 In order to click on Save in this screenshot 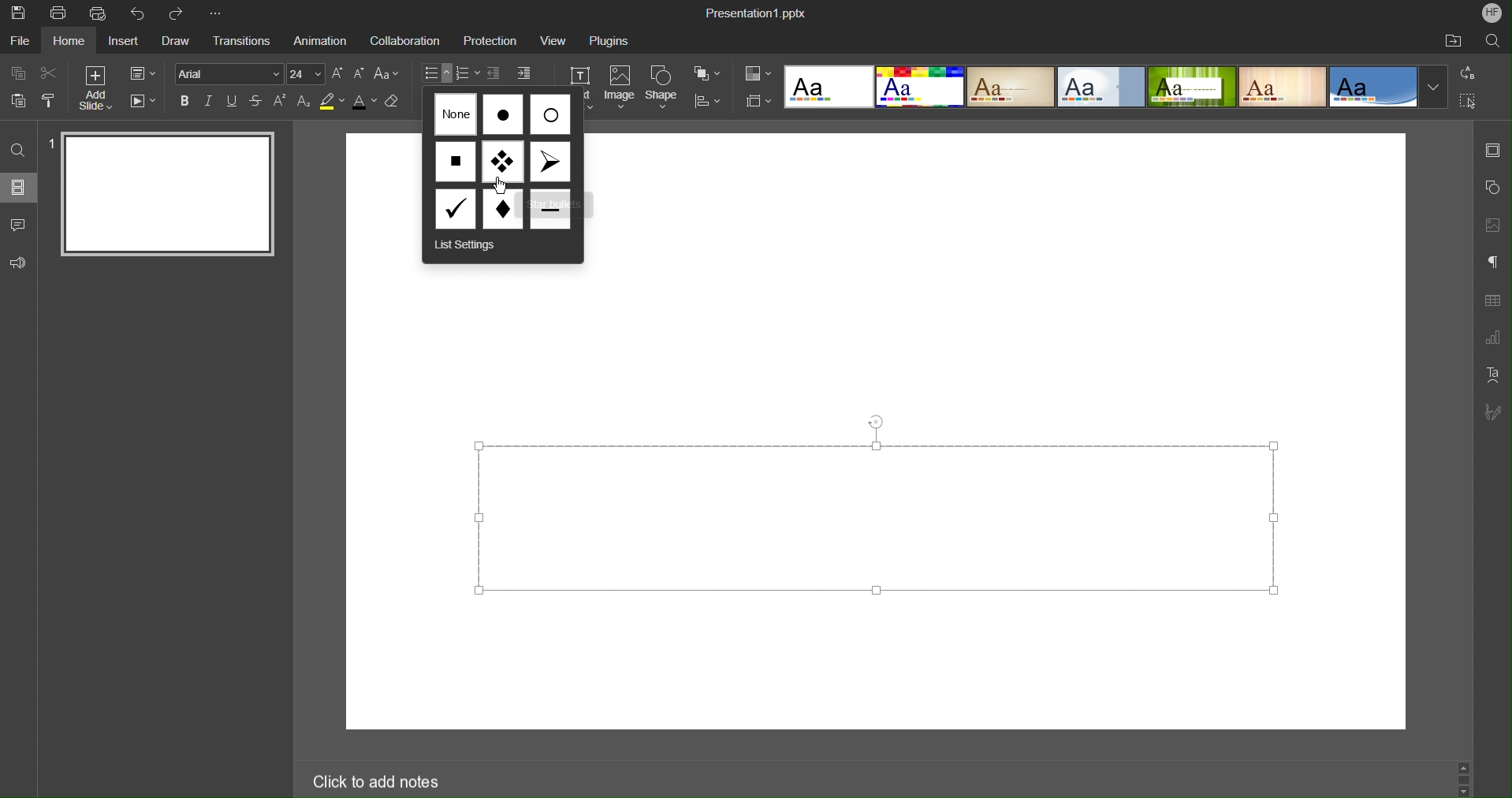, I will do `click(17, 13)`.